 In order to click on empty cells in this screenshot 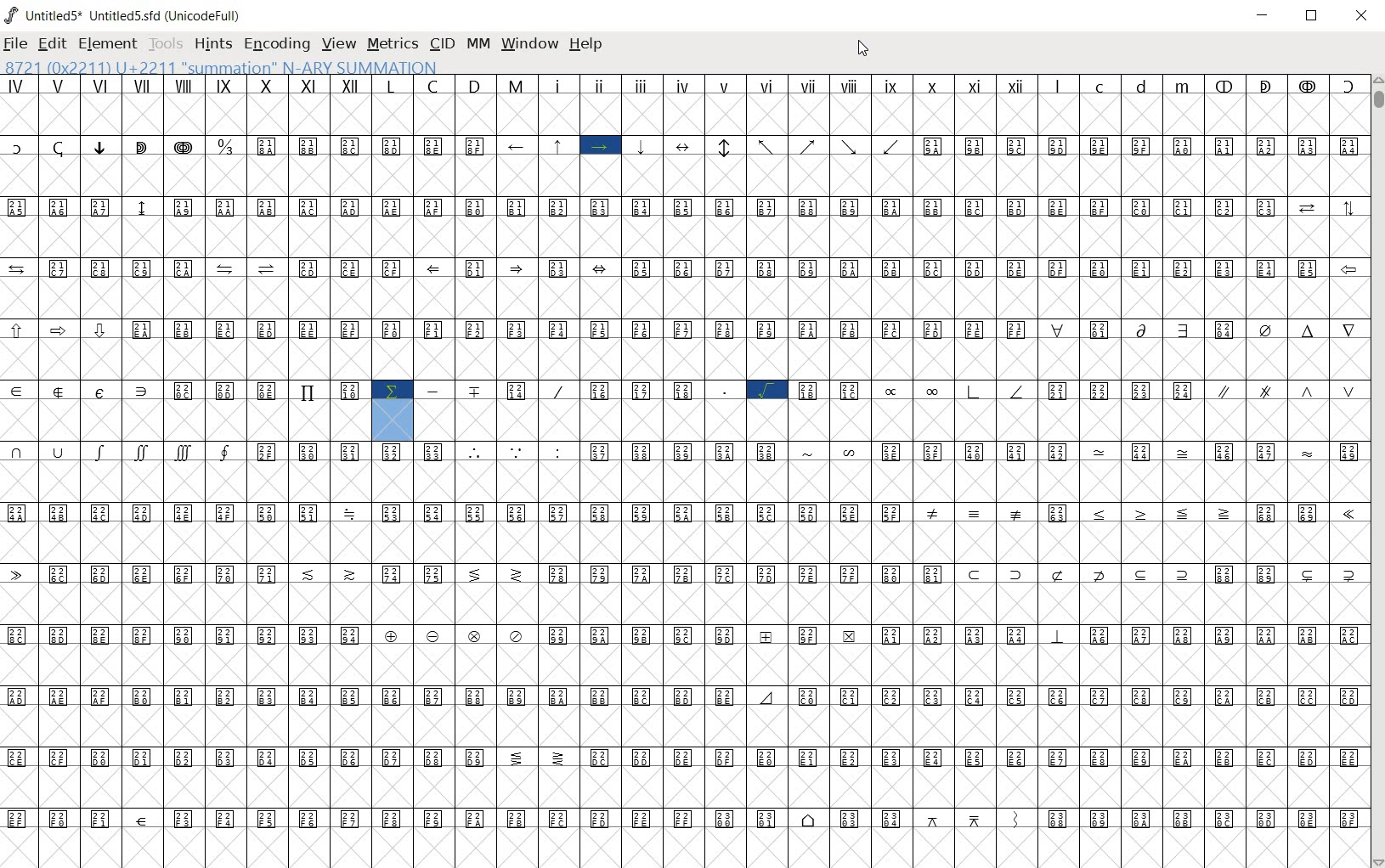, I will do `click(685, 848)`.